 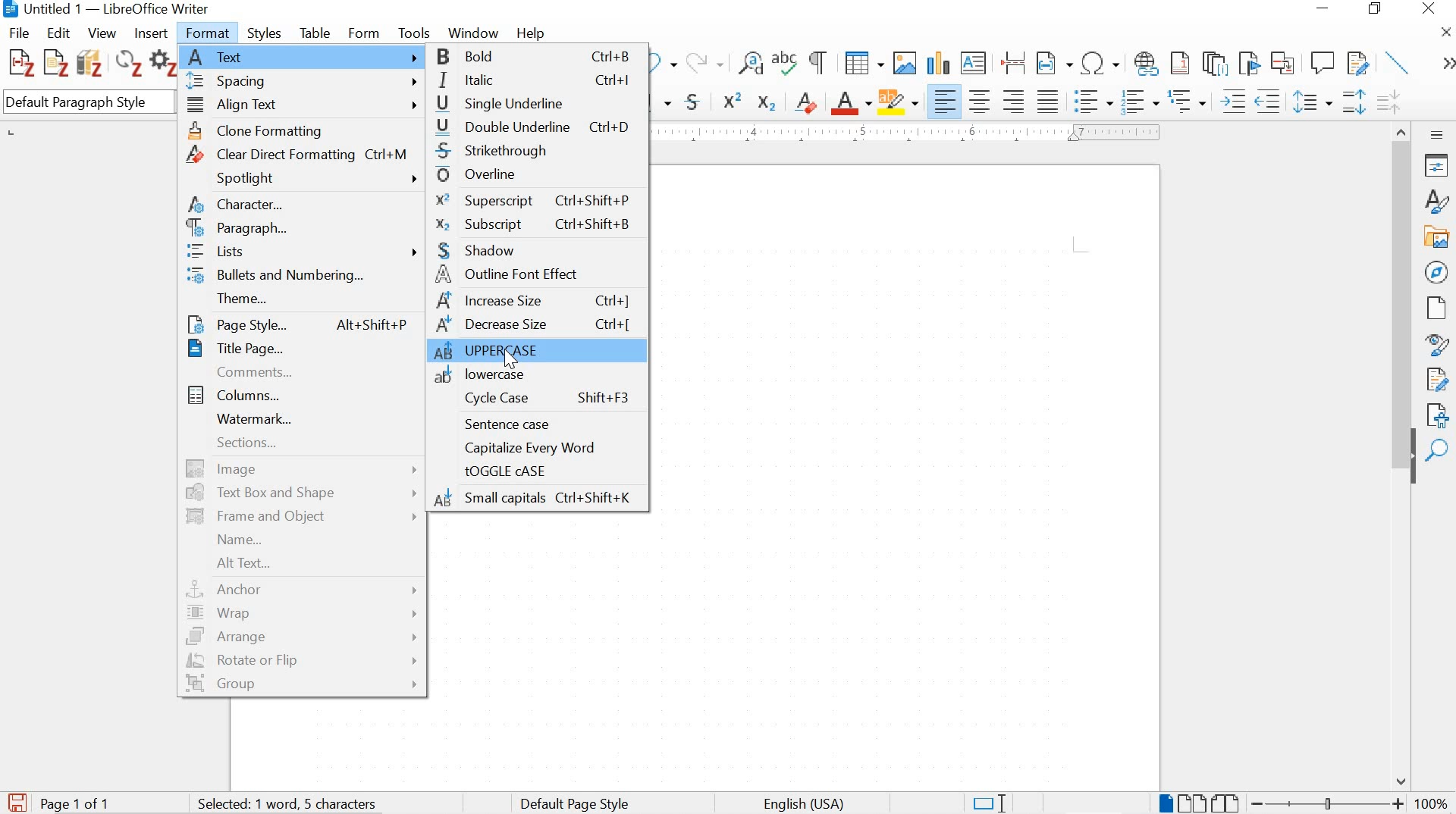 What do you see at coordinates (980, 101) in the screenshot?
I see `align center` at bounding box center [980, 101].